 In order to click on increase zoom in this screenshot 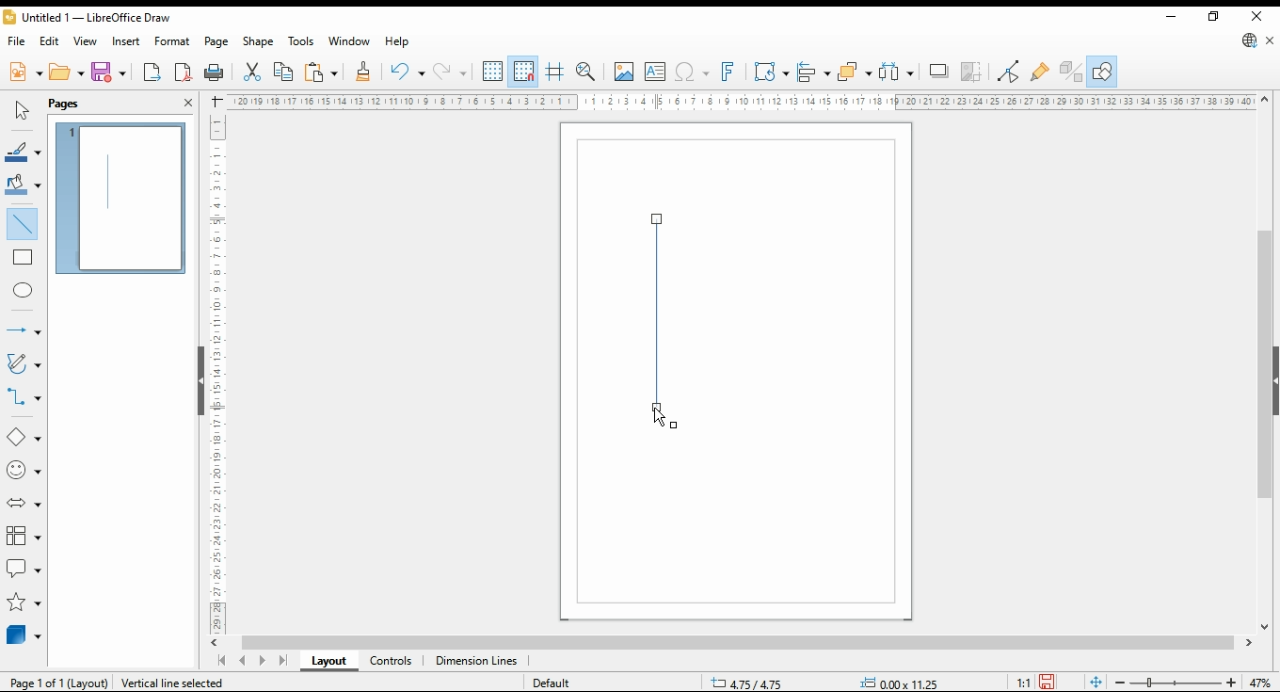, I will do `click(1235, 683)`.